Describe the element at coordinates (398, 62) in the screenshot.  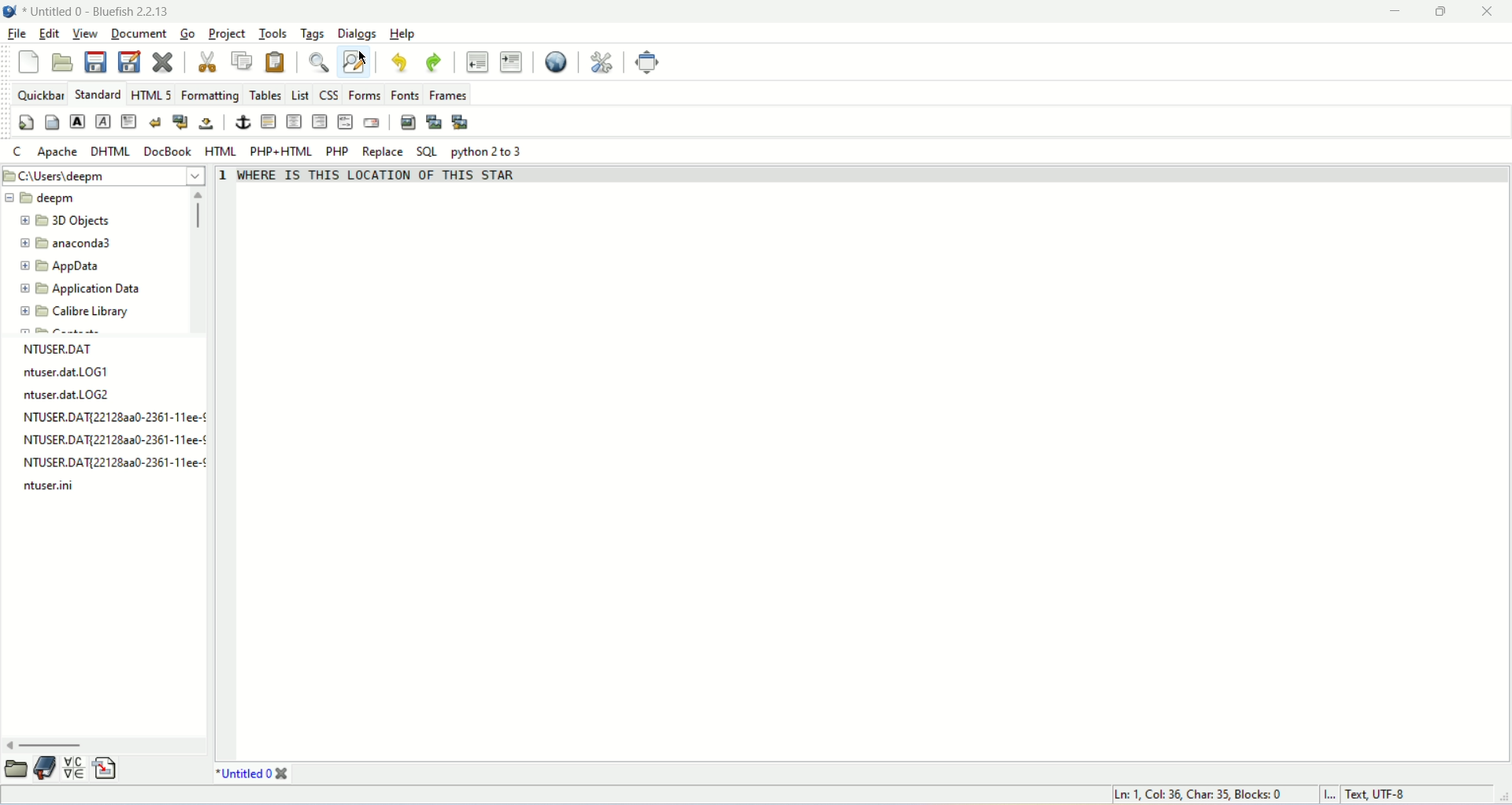
I see `undo` at that location.